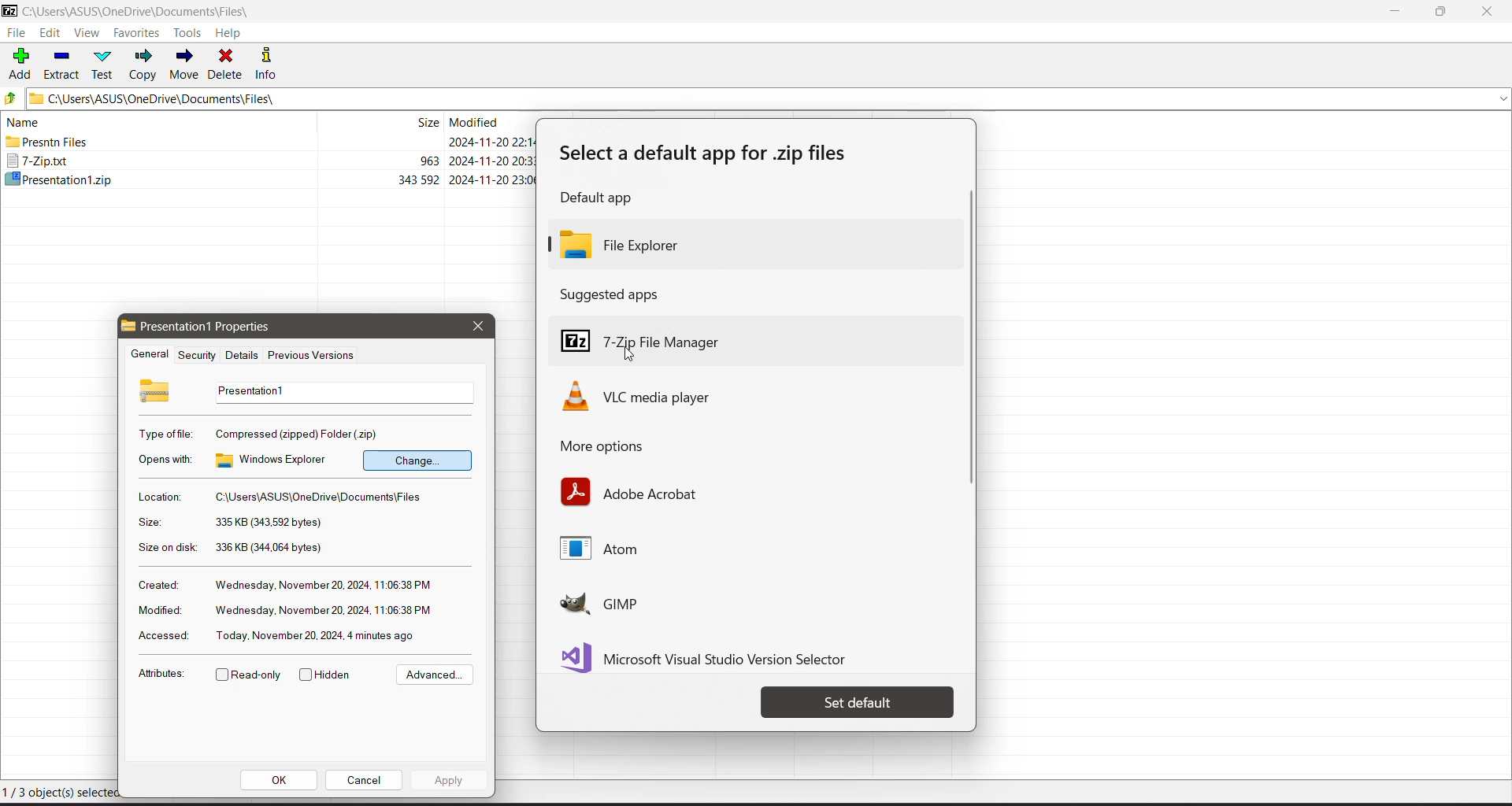 This screenshot has height=806, width=1512. I want to click on Test, so click(105, 64).